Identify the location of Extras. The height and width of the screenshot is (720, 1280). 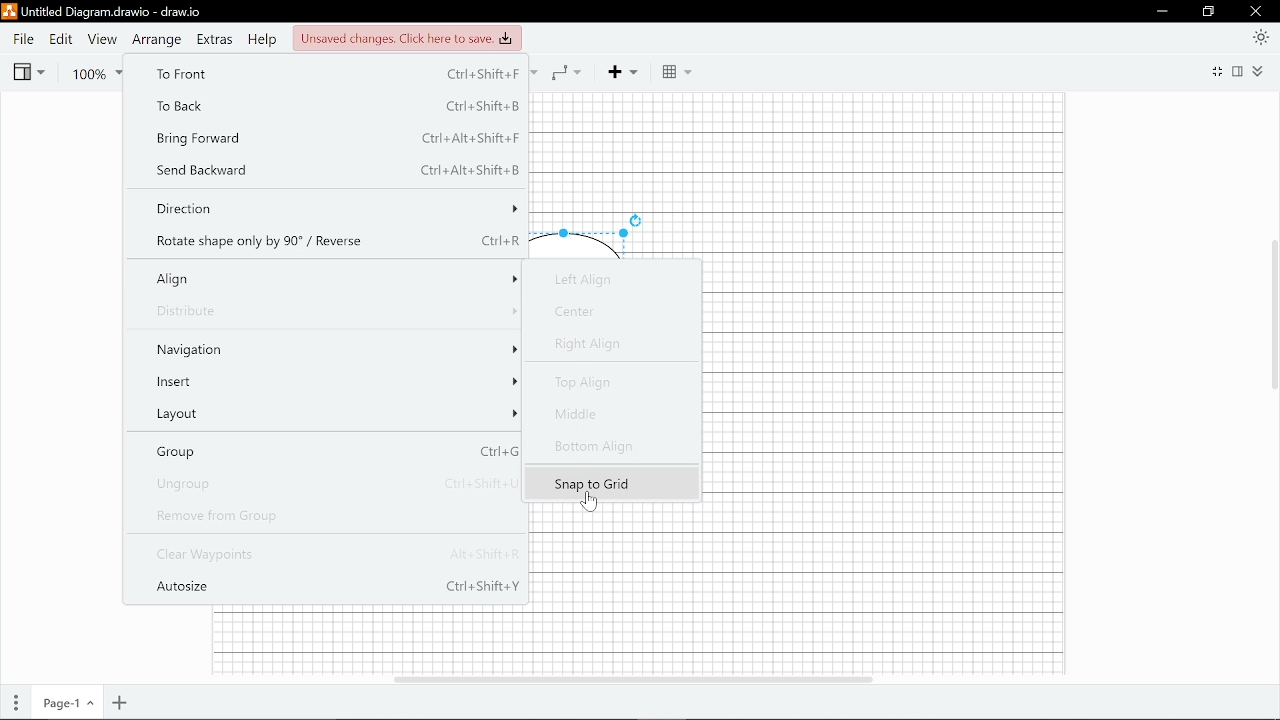
(216, 41).